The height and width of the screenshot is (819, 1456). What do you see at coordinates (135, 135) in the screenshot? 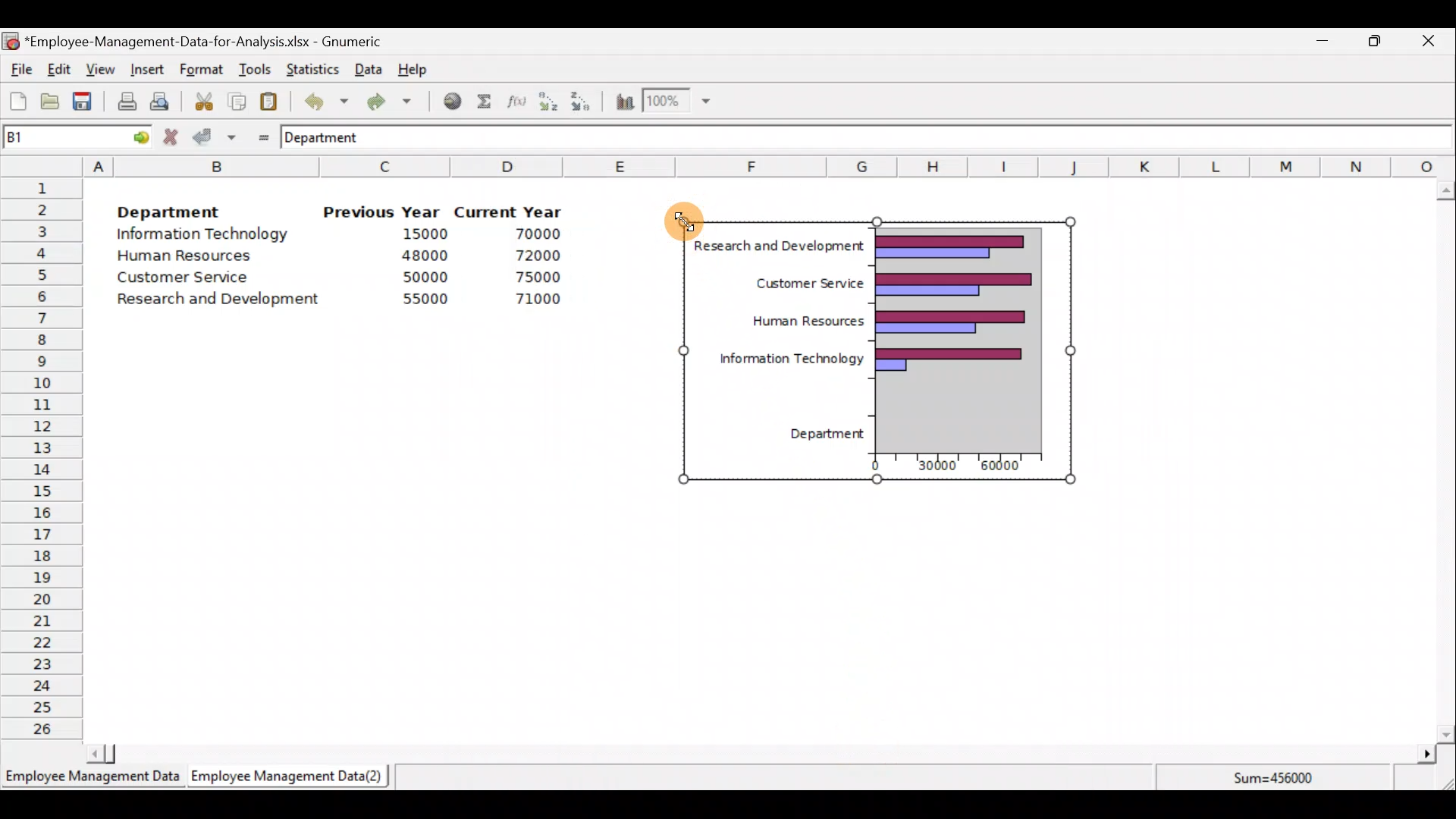
I see `go to` at bounding box center [135, 135].